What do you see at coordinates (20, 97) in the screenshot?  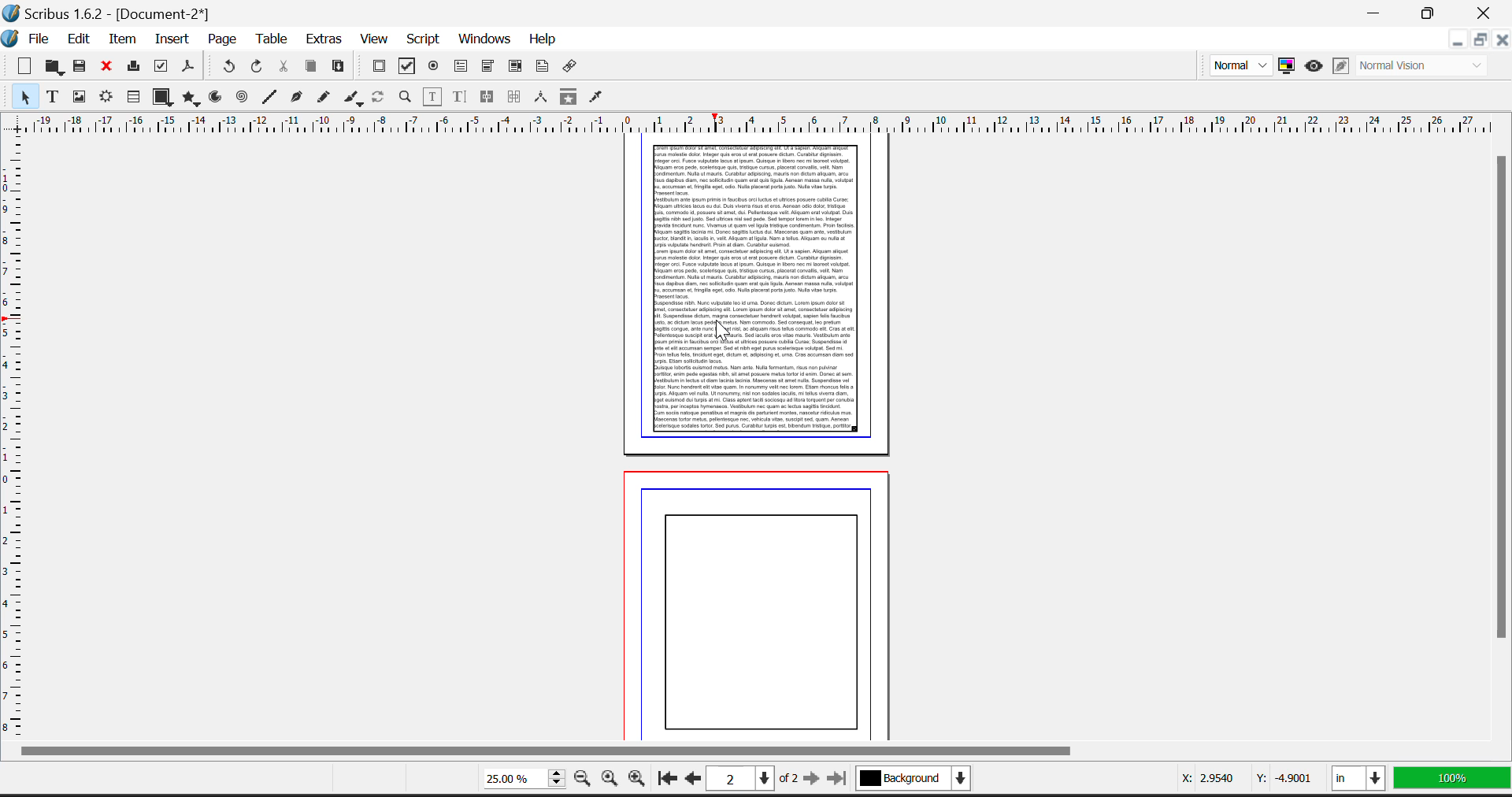 I see `Select` at bounding box center [20, 97].